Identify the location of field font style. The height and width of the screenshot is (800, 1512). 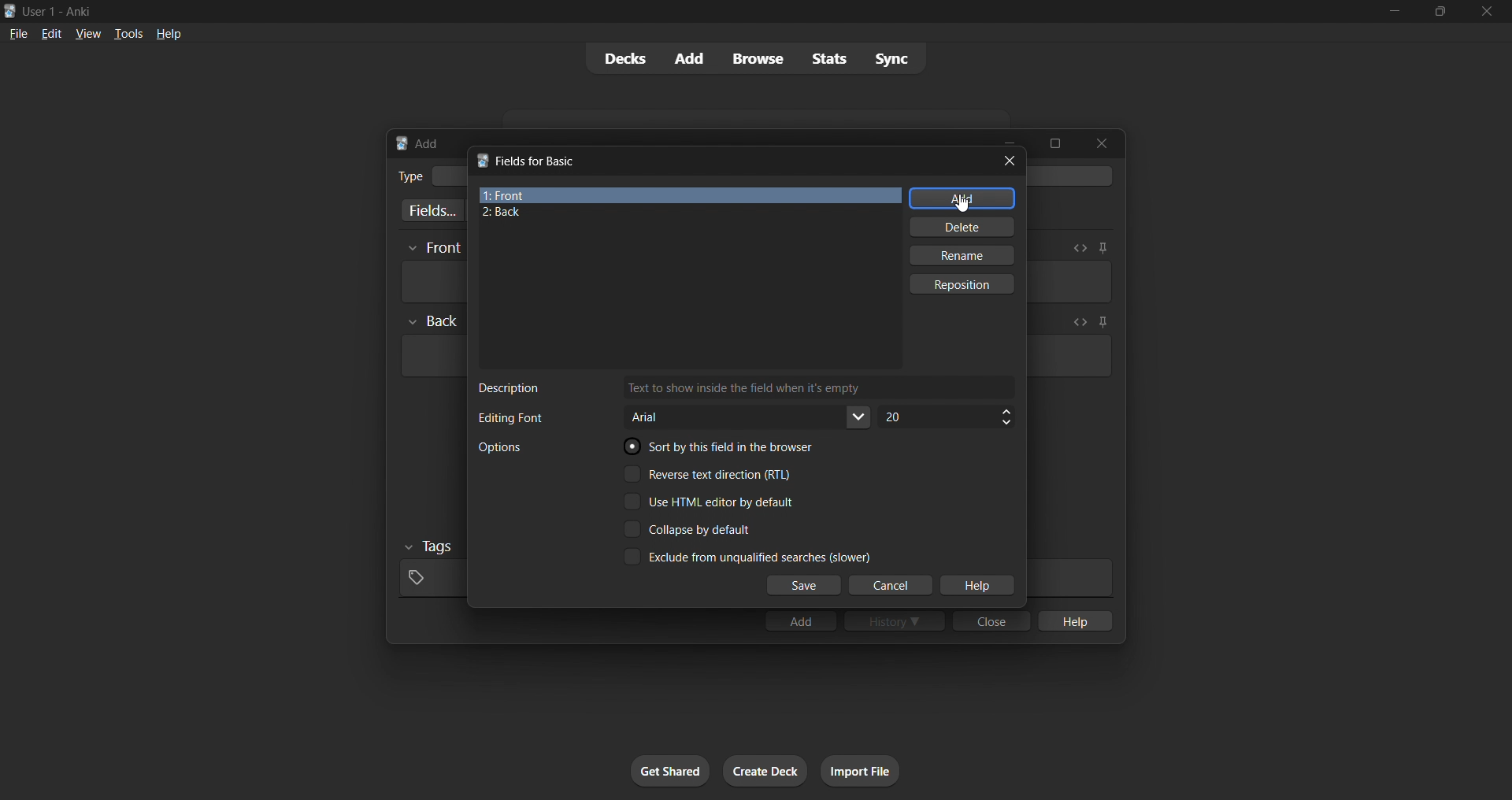
(749, 417).